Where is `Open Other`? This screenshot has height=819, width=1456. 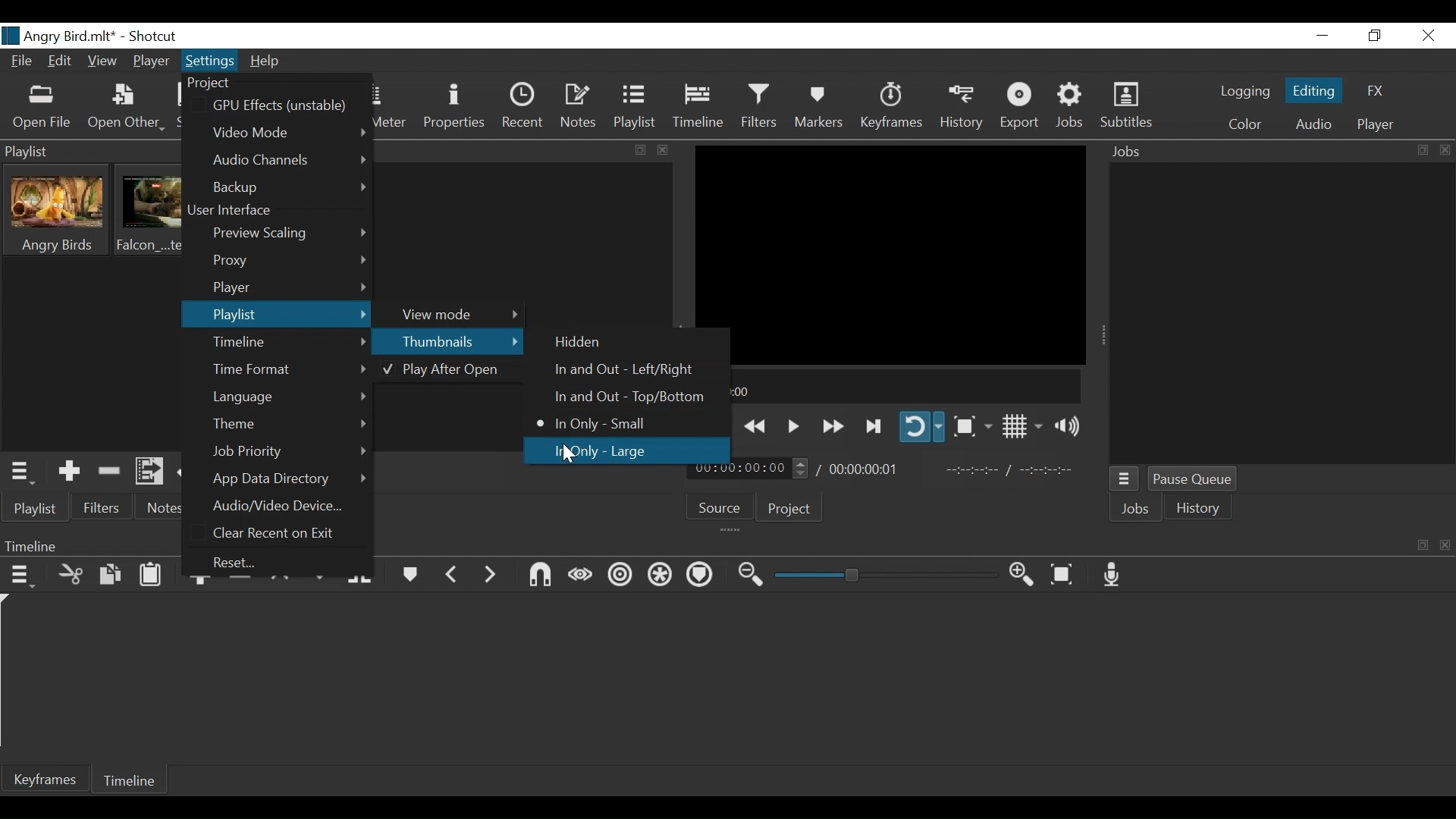
Open Other is located at coordinates (128, 108).